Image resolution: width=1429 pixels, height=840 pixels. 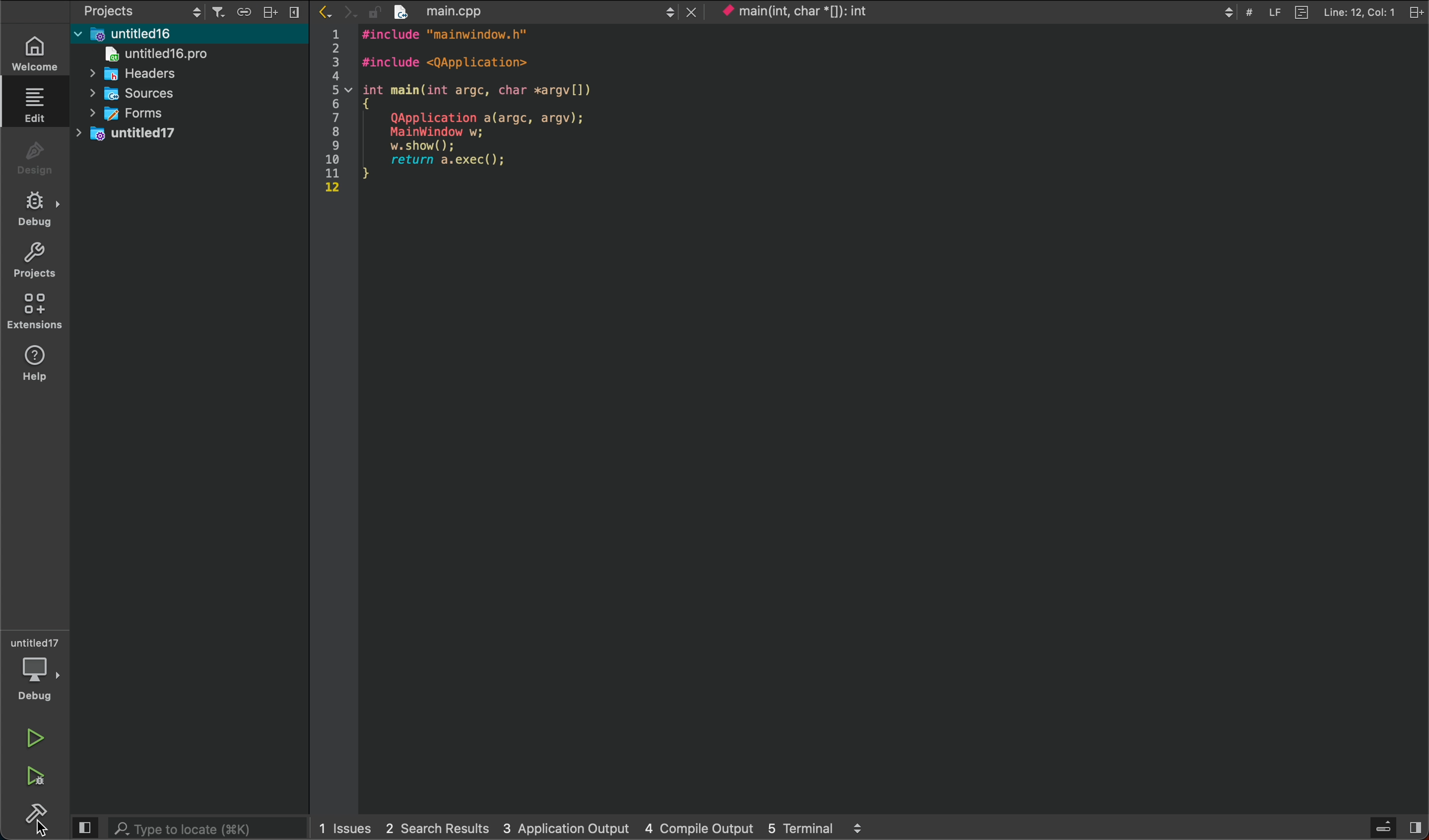 I want to click on untitled 17, so click(x=150, y=134).